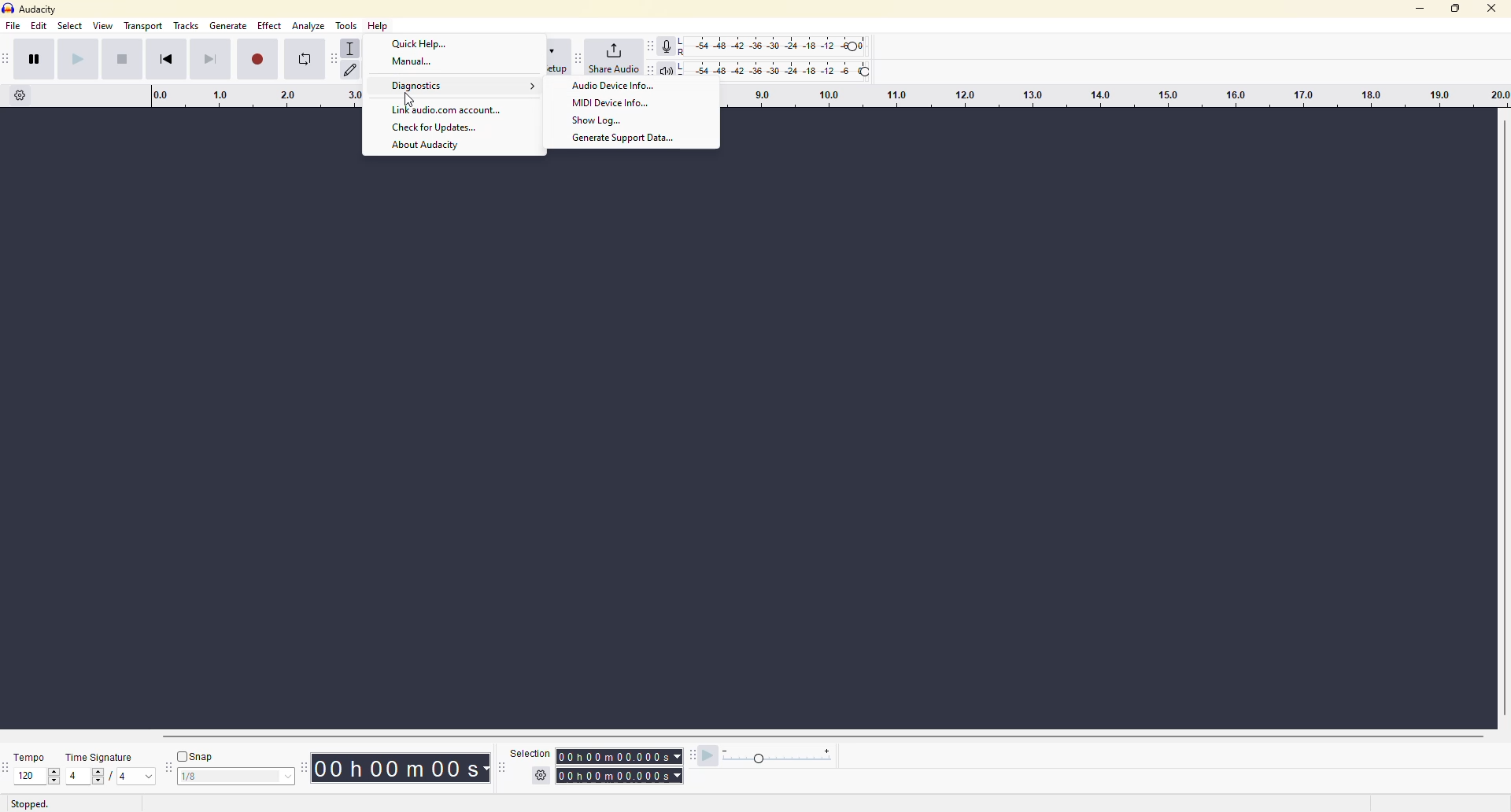  Describe the element at coordinates (142, 27) in the screenshot. I see `transport` at that location.